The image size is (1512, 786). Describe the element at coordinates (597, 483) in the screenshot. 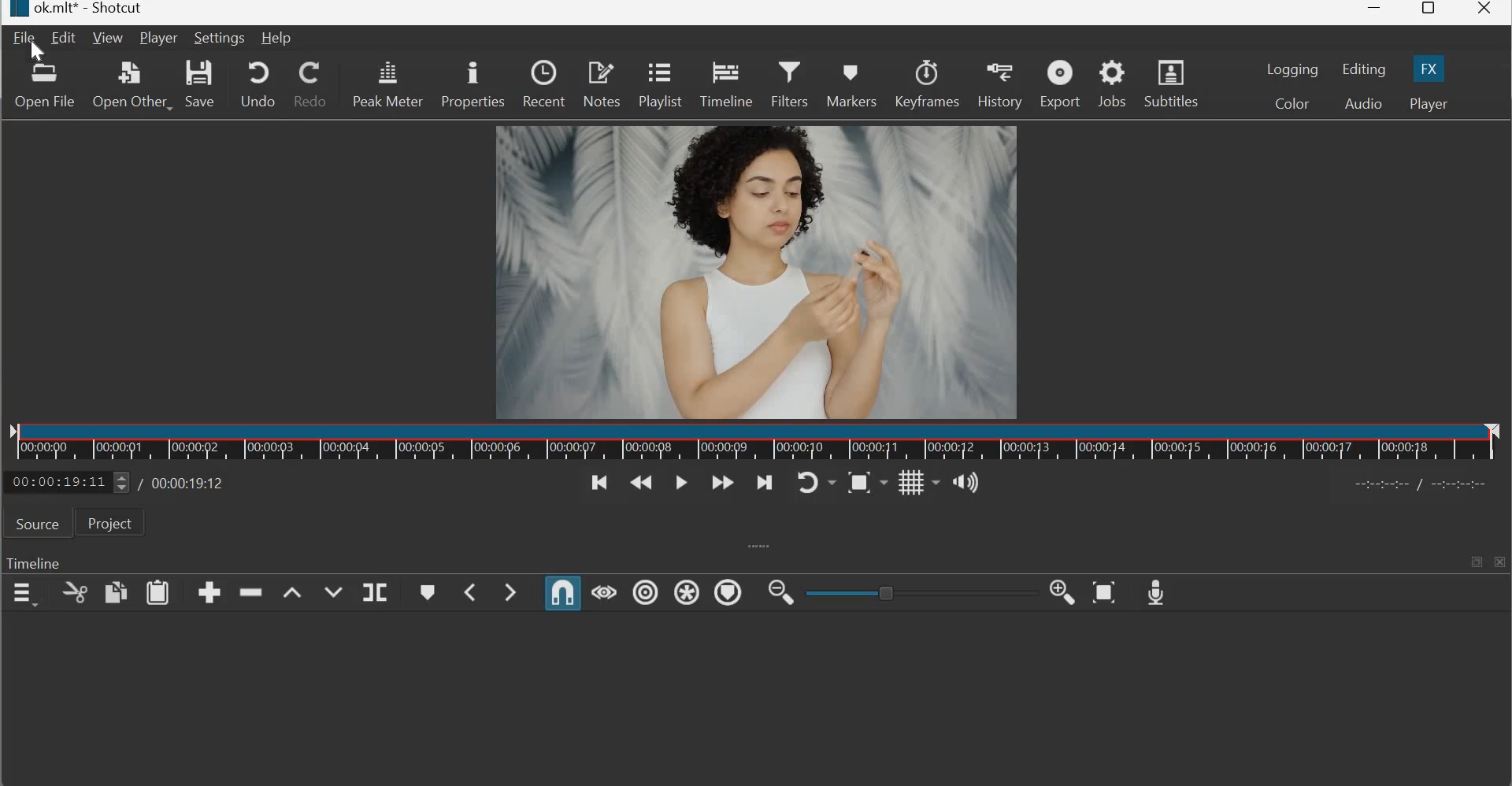

I see `Skip to the previous point` at that location.